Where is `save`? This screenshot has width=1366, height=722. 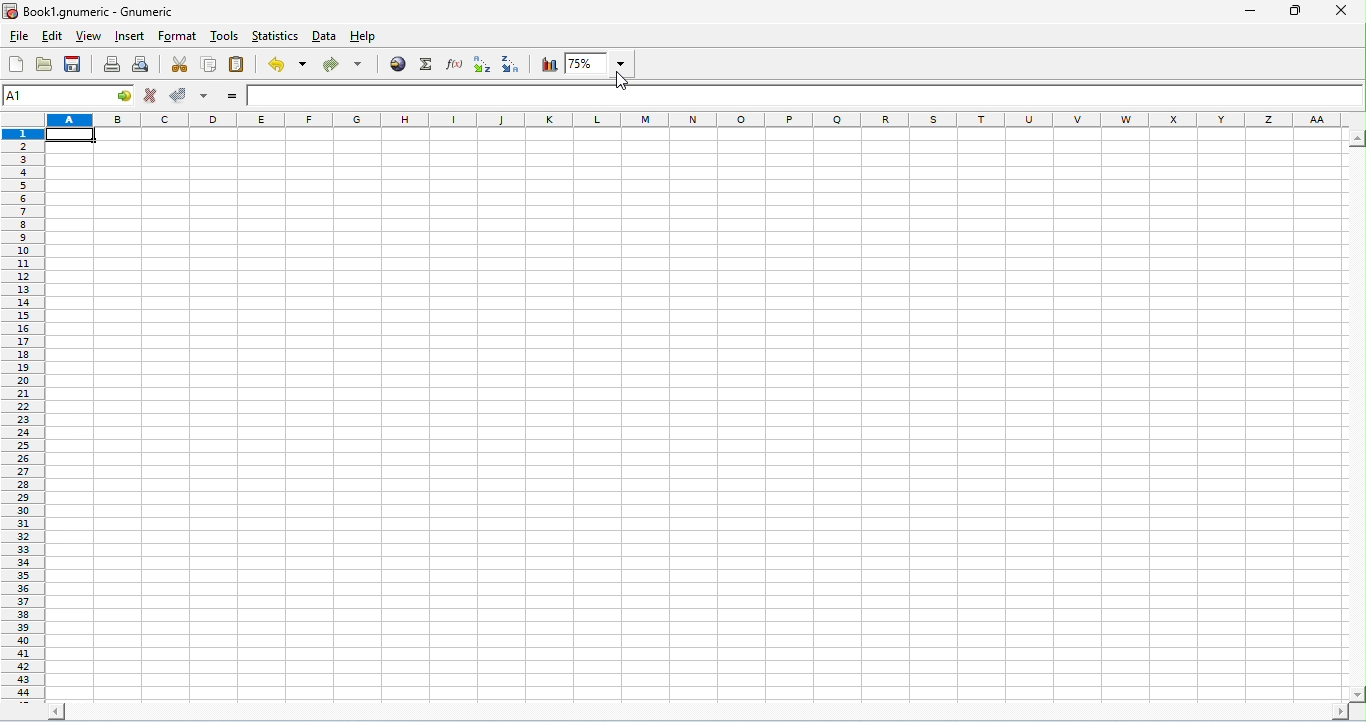
save is located at coordinates (73, 63).